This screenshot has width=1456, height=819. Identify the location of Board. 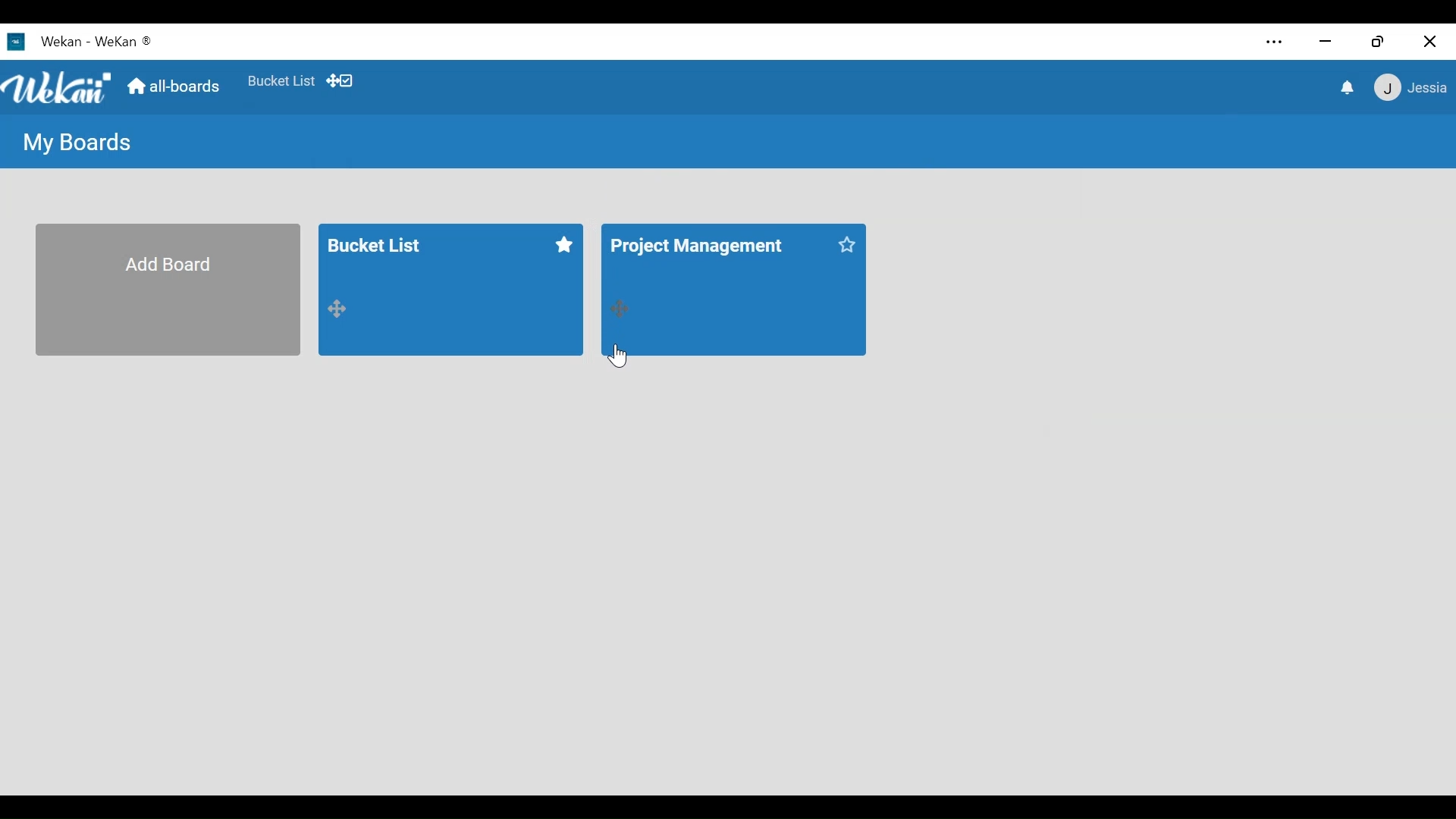
(448, 290).